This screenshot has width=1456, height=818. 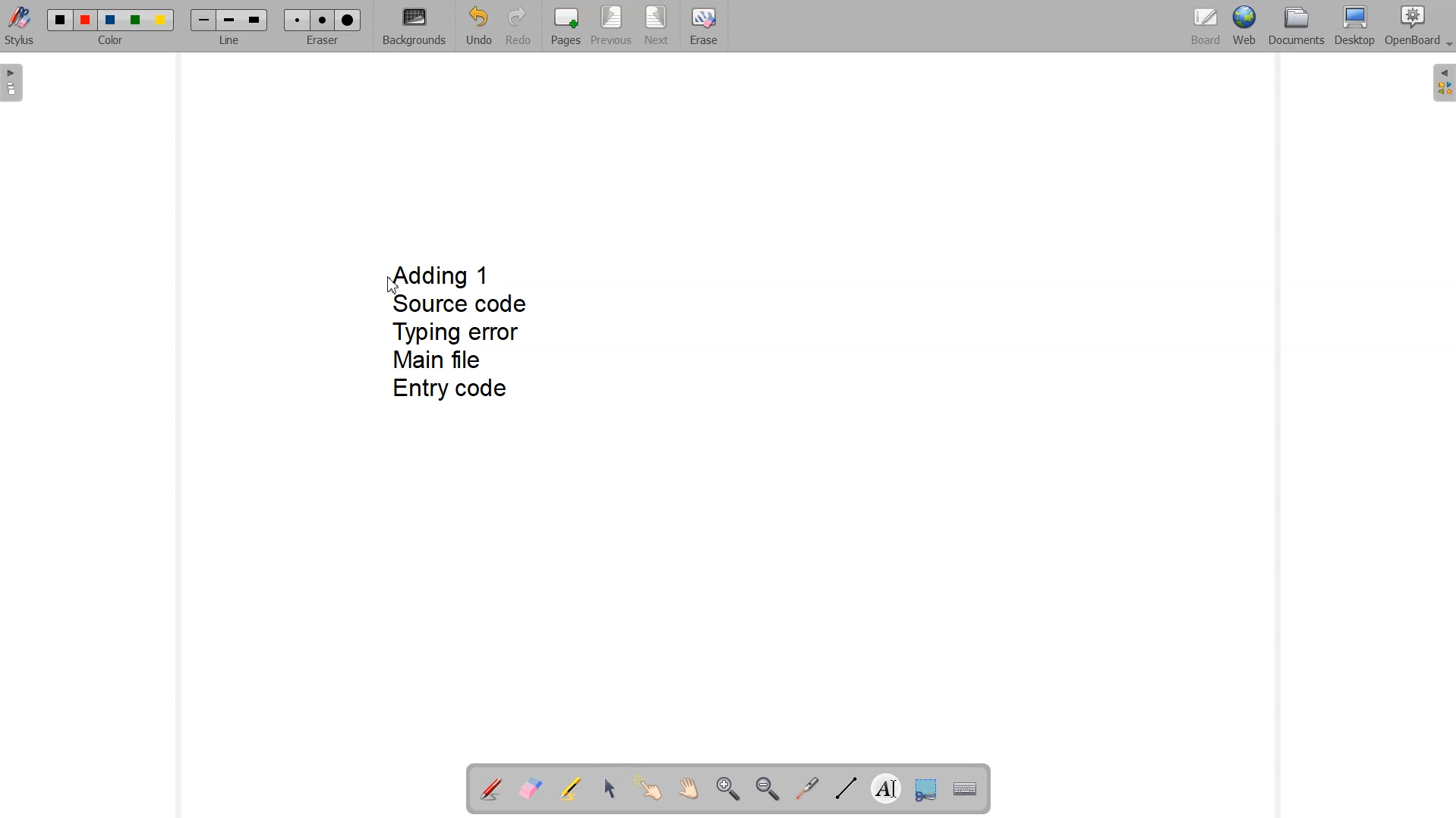 What do you see at coordinates (1420, 27) in the screenshot?
I see `OpenBoard` at bounding box center [1420, 27].